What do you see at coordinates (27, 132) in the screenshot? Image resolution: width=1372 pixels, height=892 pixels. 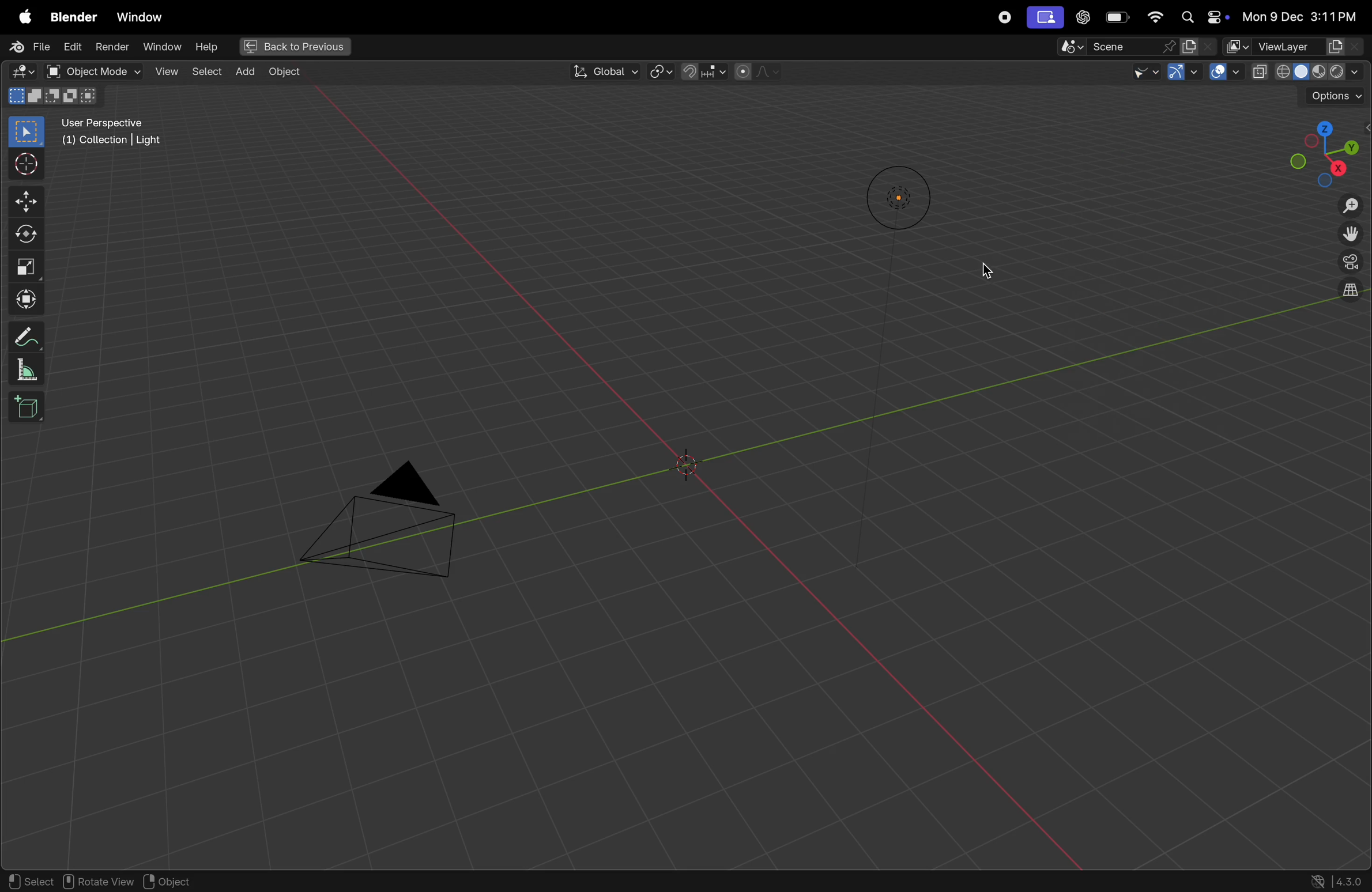 I see `select` at bounding box center [27, 132].